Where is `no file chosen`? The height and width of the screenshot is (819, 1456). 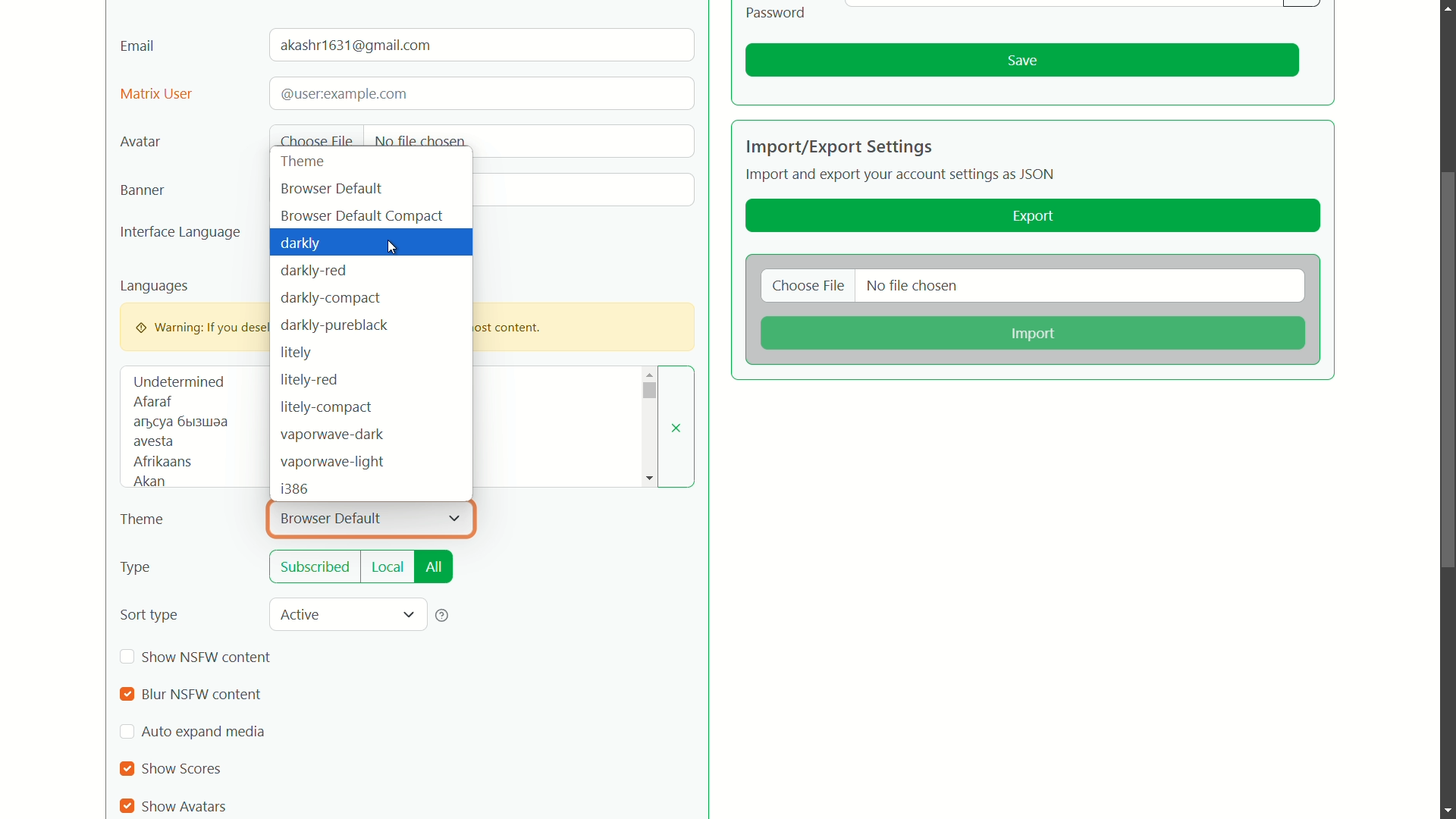 no file chosen is located at coordinates (913, 287).